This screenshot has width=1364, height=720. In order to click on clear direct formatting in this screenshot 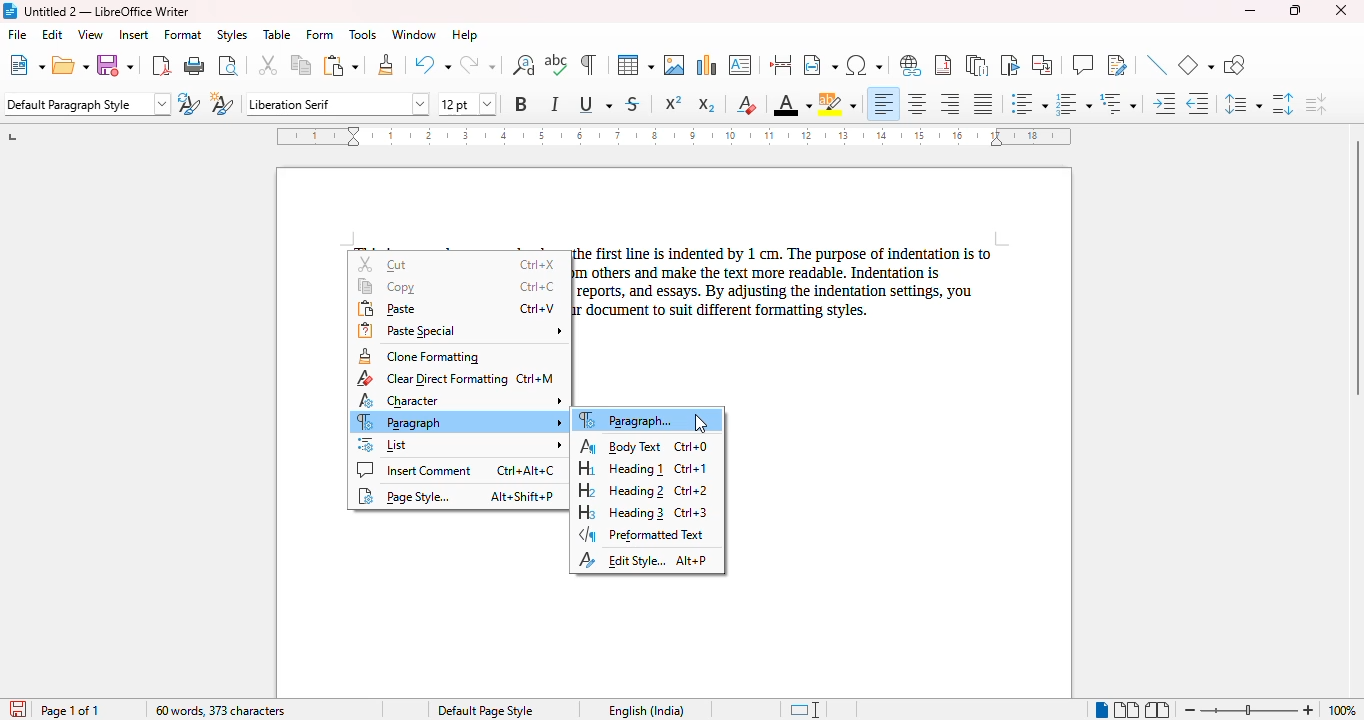, I will do `click(454, 379)`.